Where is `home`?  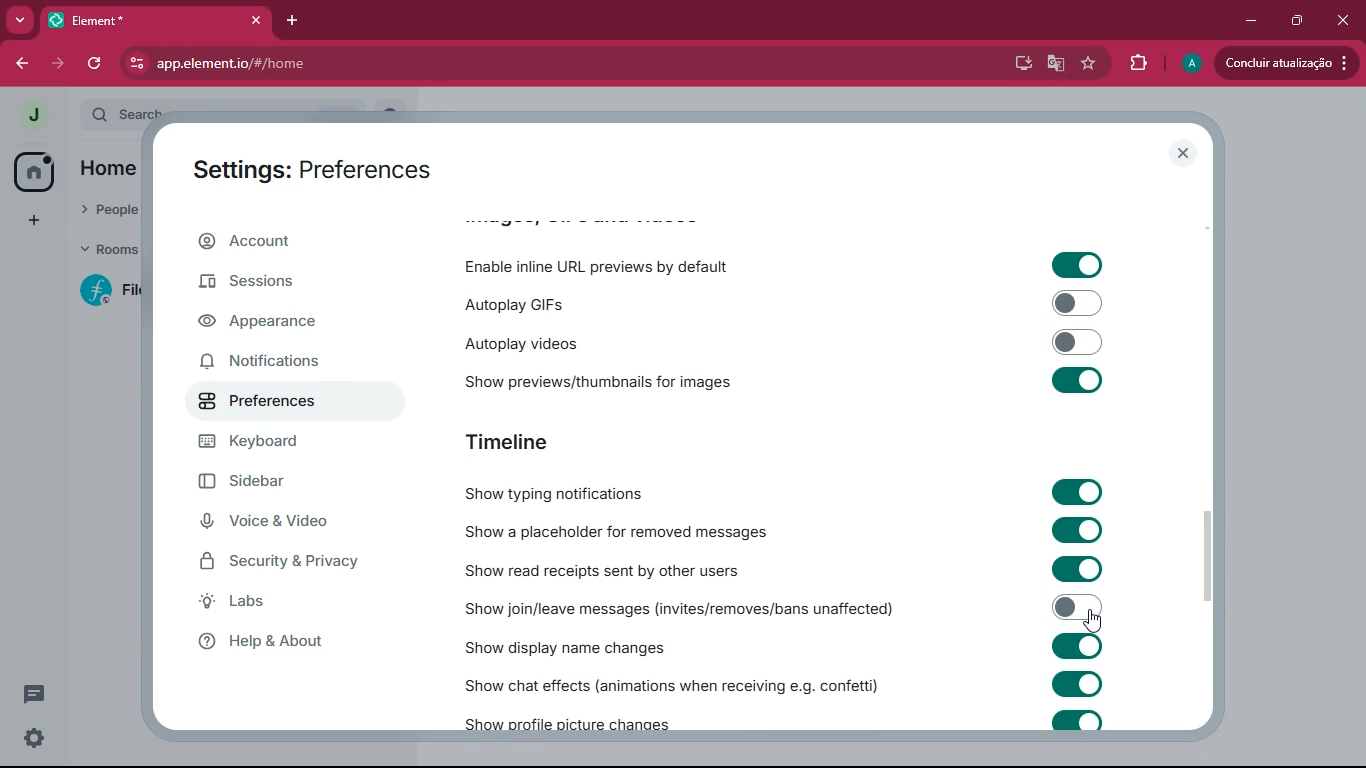 home is located at coordinates (34, 171).